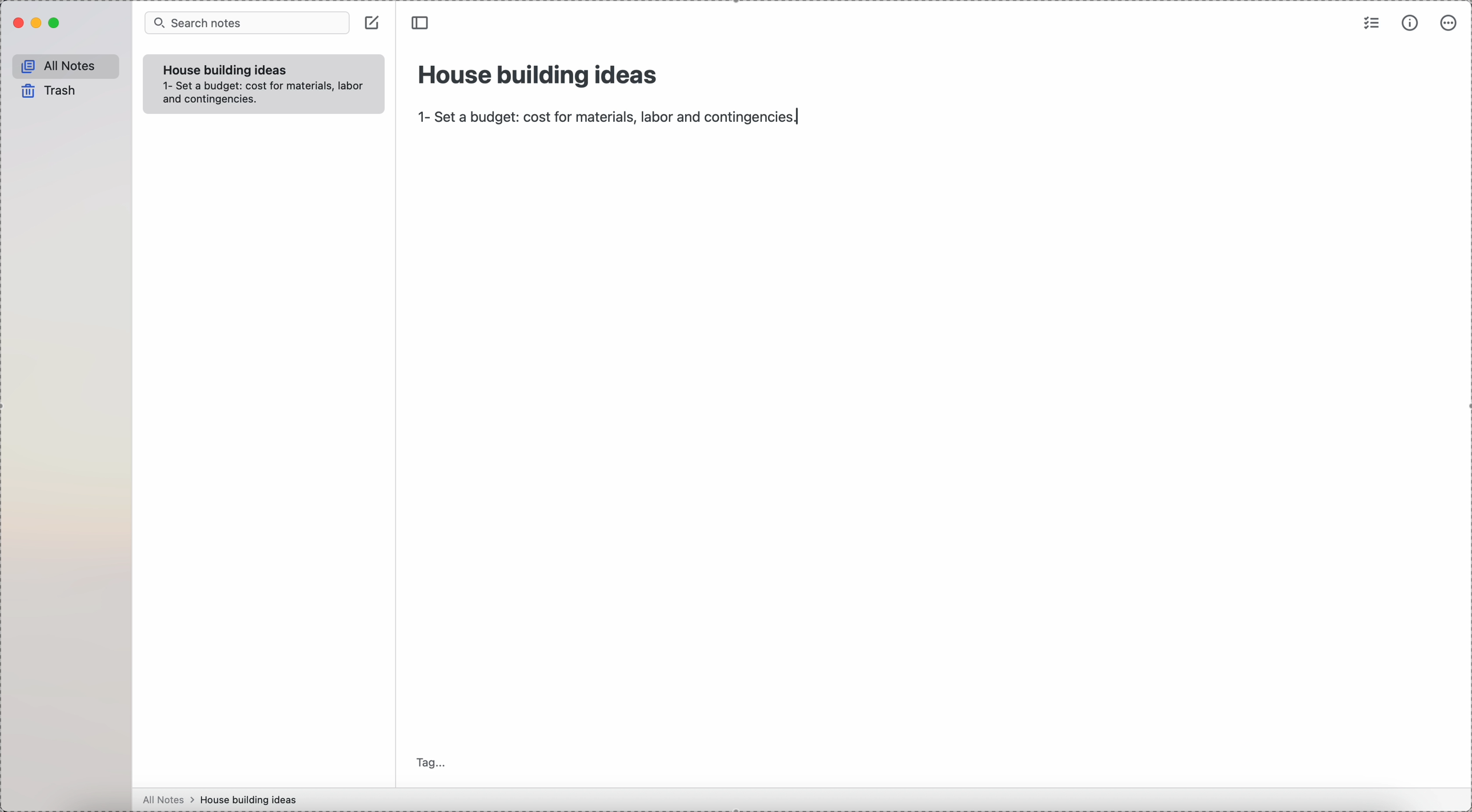 The width and height of the screenshot is (1472, 812). What do you see at coordinates (433, 762) in the screenshot?
I see `tag` at bounding box center [433, 762].